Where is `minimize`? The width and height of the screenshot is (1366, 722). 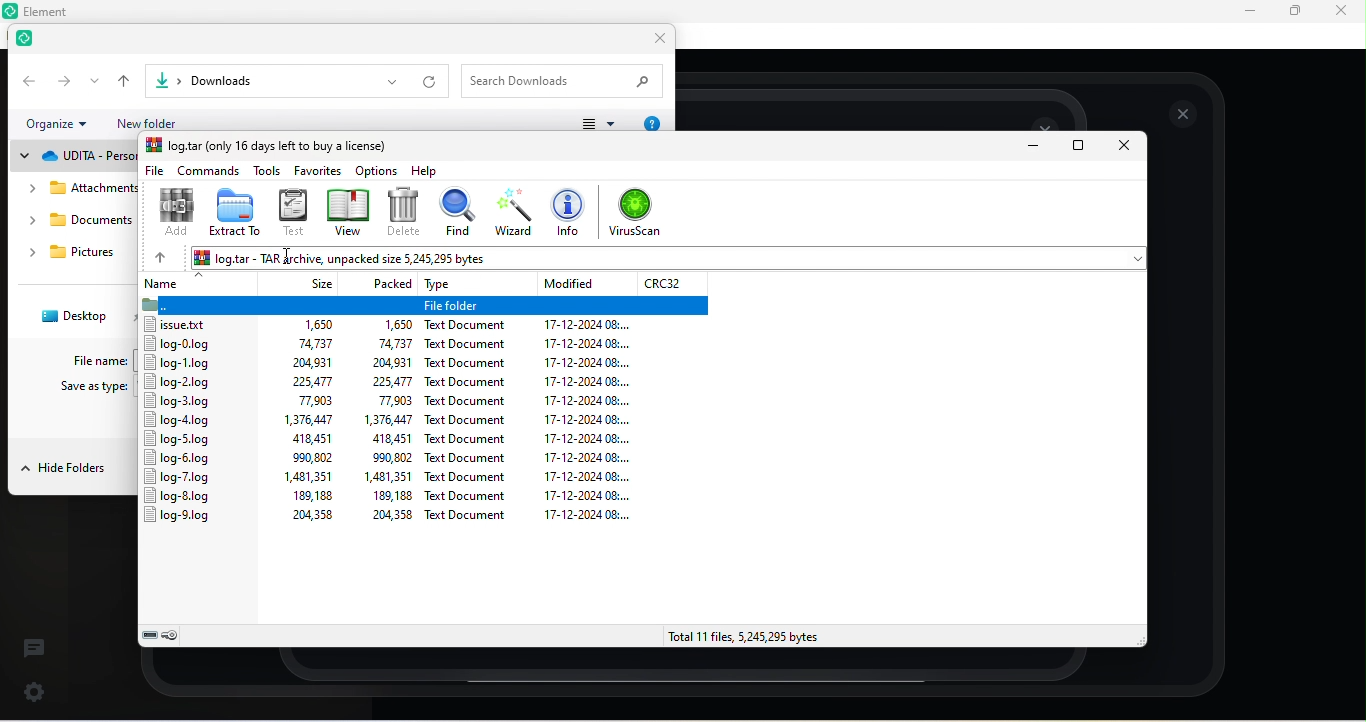 minimize is located at coordinates (1246, 12).